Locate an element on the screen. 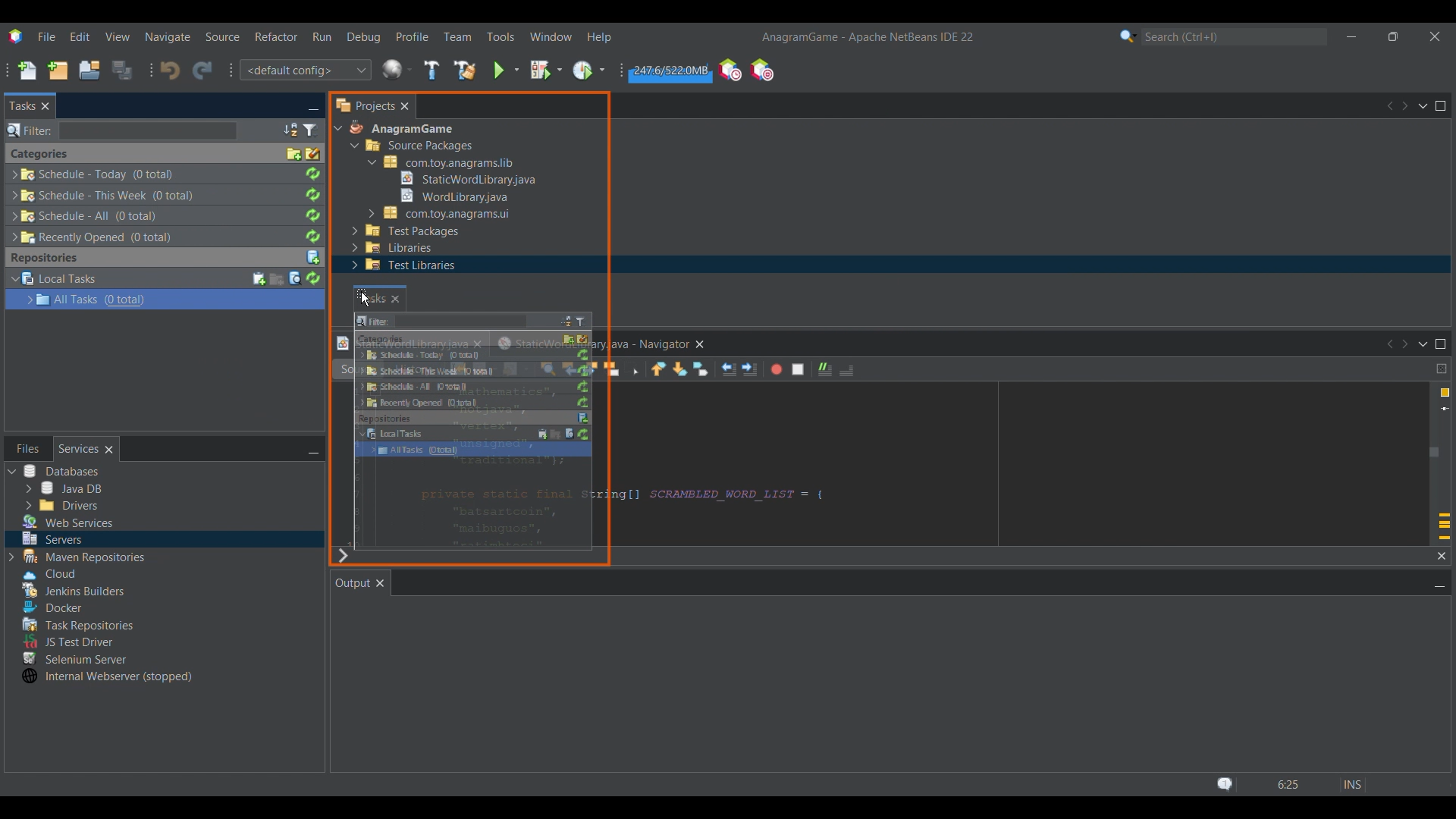 Image resolution: width=1456 pixels, height=819 pixels. Create new task is located at coordinates (259, 279).